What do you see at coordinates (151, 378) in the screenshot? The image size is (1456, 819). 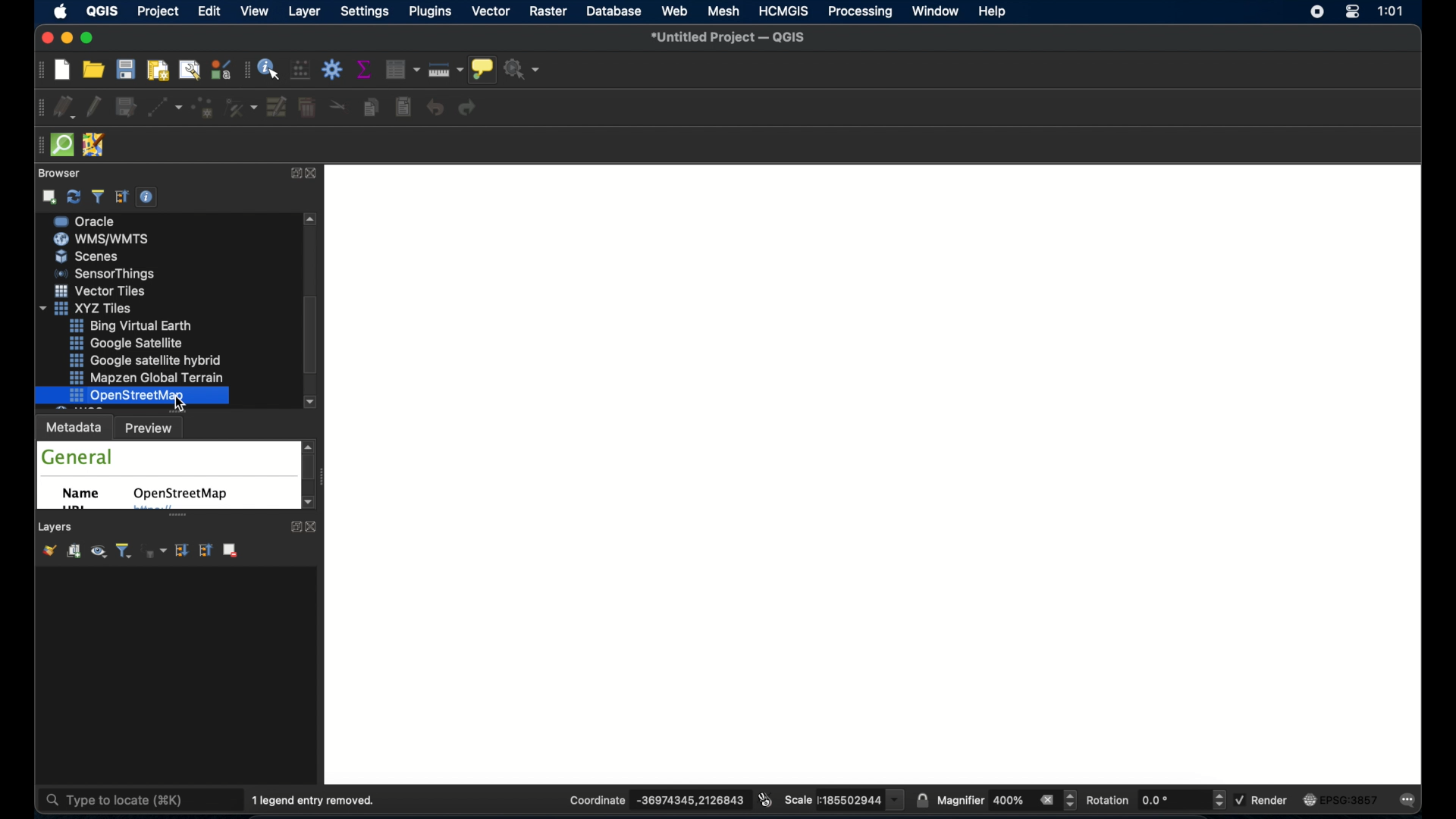 I see `bing virtual earth` at bounding box center [151, 378].